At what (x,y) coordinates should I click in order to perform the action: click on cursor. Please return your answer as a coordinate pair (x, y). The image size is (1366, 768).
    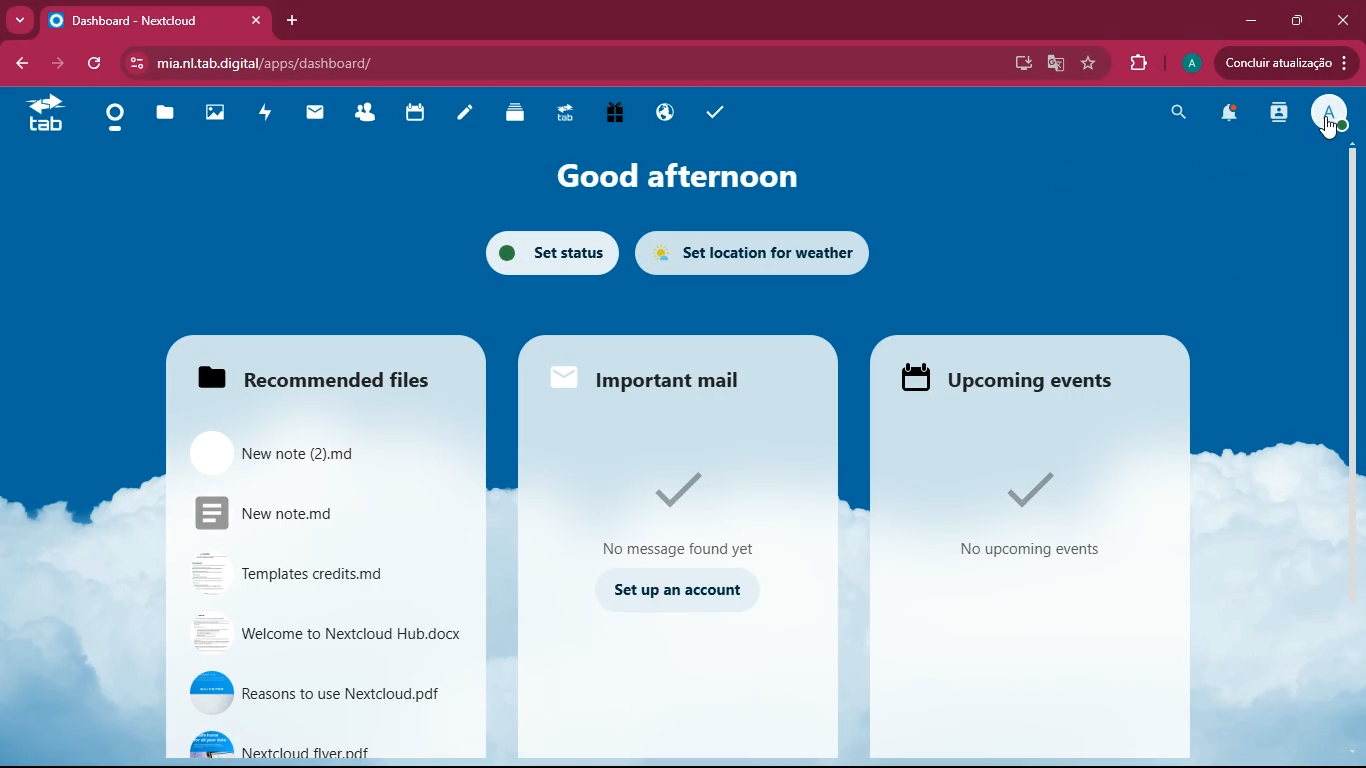
    Looking at the image, I should click on (1330, 130).